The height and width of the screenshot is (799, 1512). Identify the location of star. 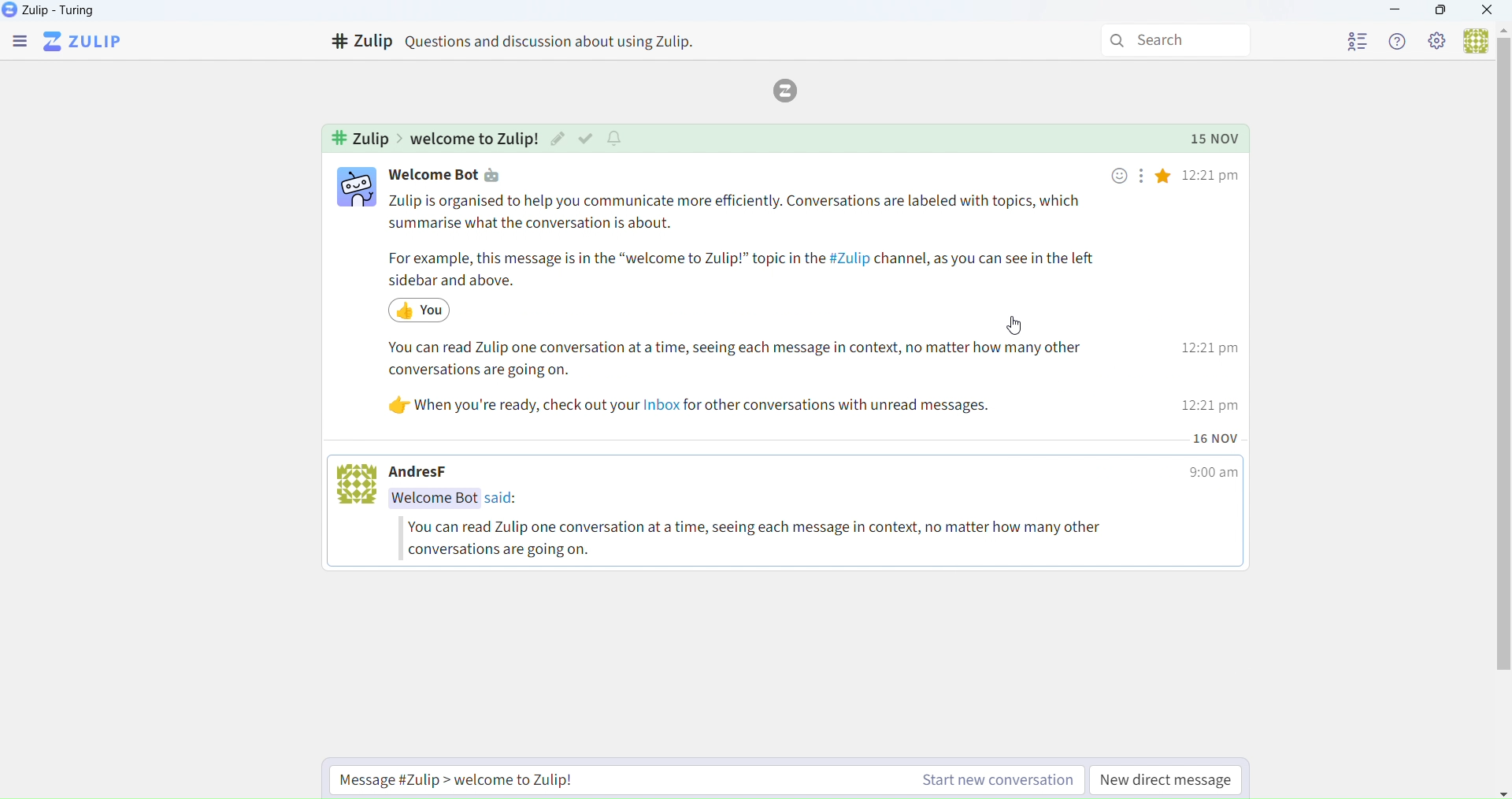
(1165, 179).